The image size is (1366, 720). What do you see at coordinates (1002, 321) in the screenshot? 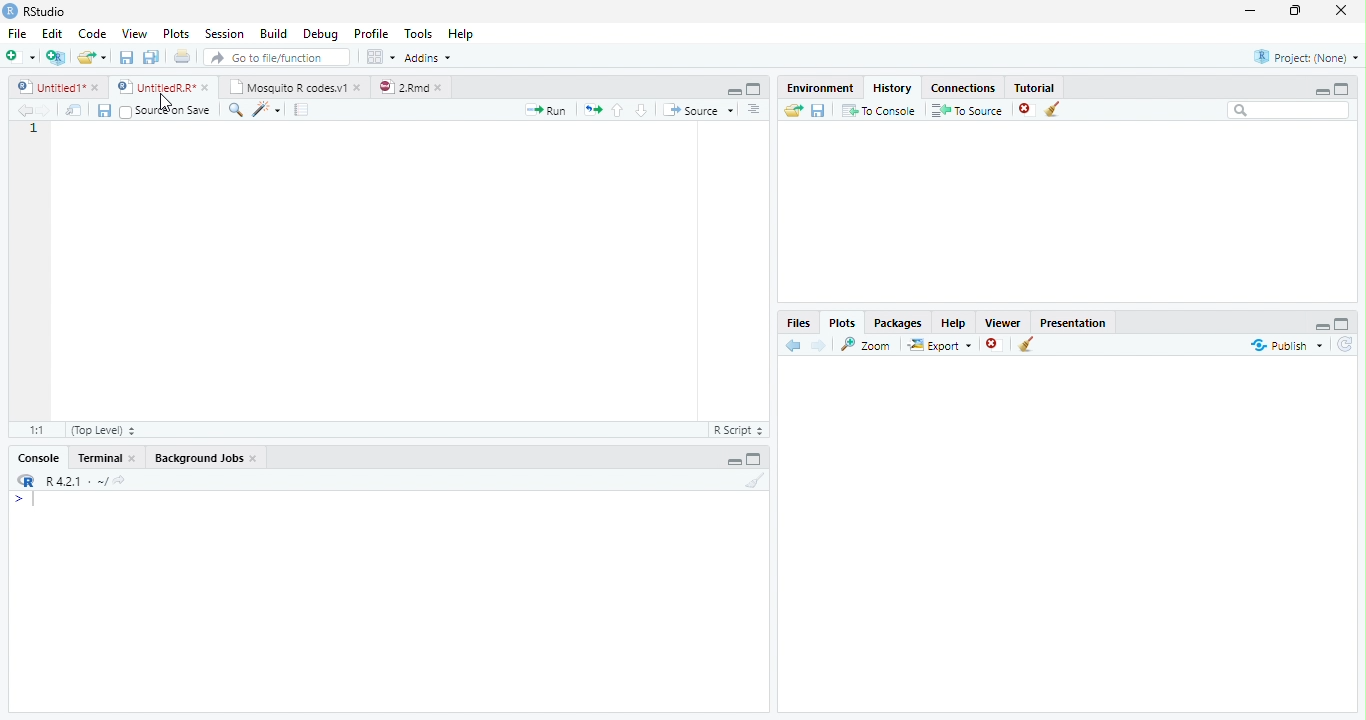
I see `Viewer` at bounding box center [1002, 321].